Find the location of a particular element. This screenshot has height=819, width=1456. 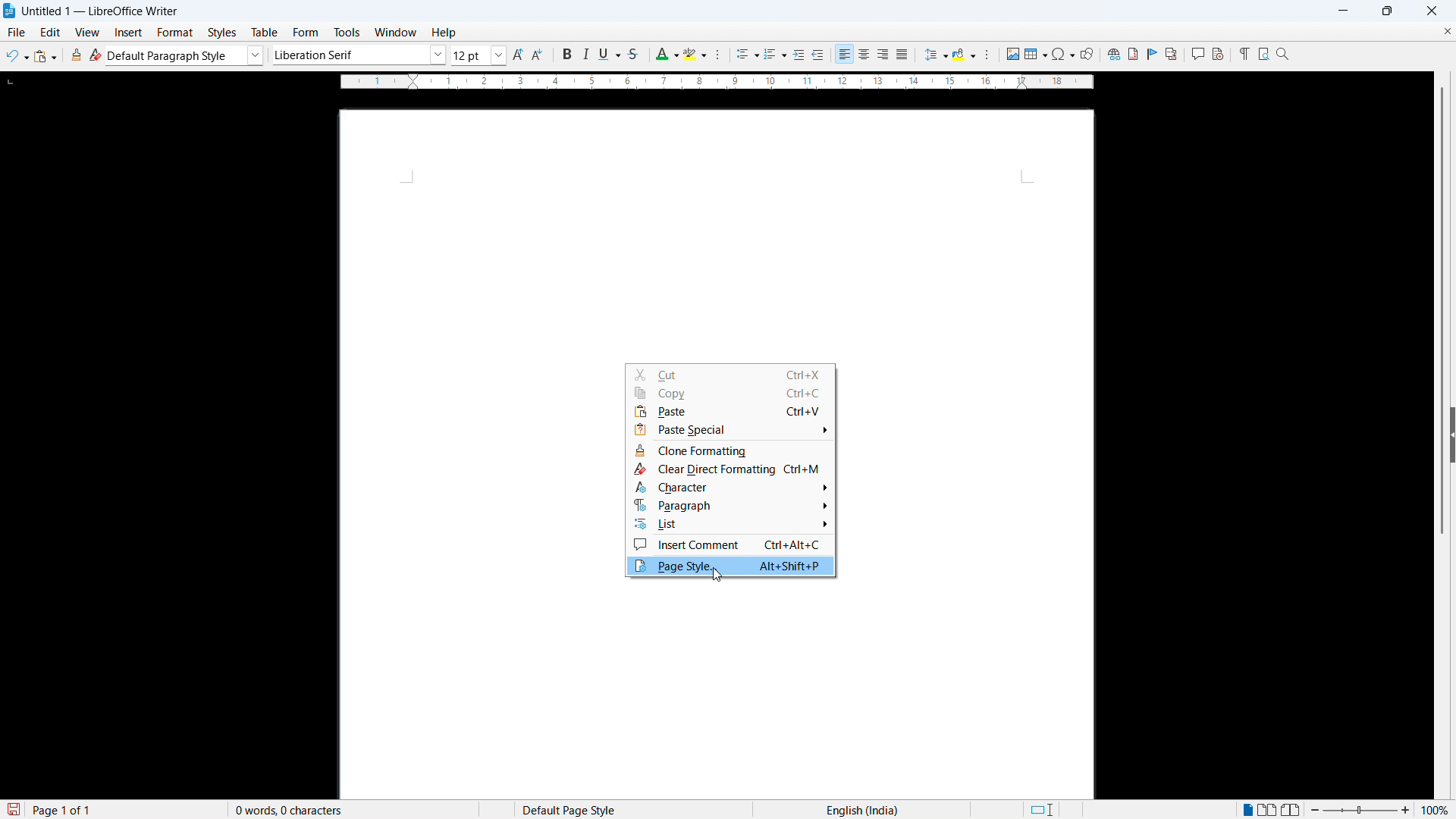

Paste  is located at coordinates (730, 412).